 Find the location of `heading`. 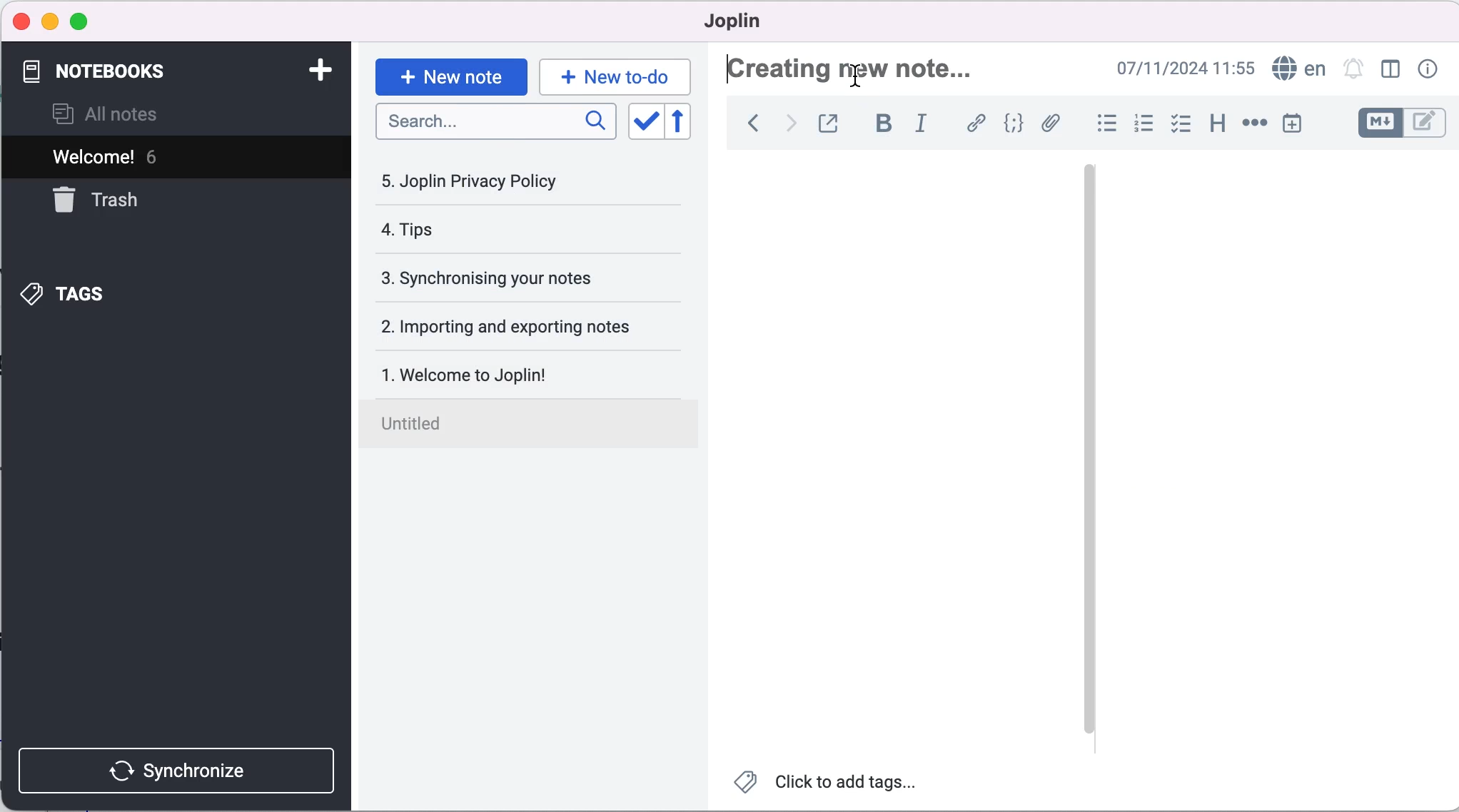

heading is located at coordinates (1213, 125).